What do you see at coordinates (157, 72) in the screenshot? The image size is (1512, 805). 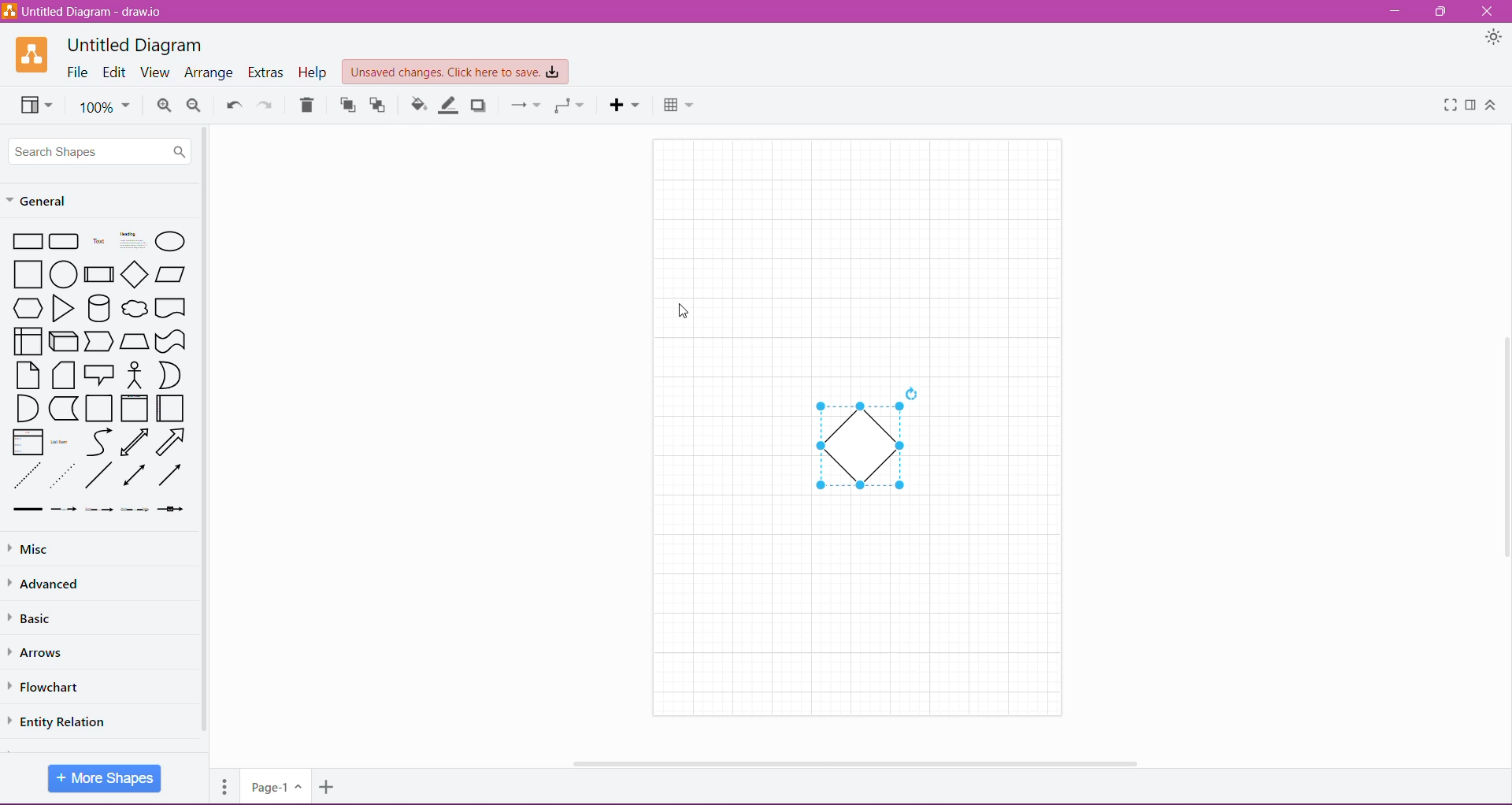 I see `View` at bounding box center [157, 72].